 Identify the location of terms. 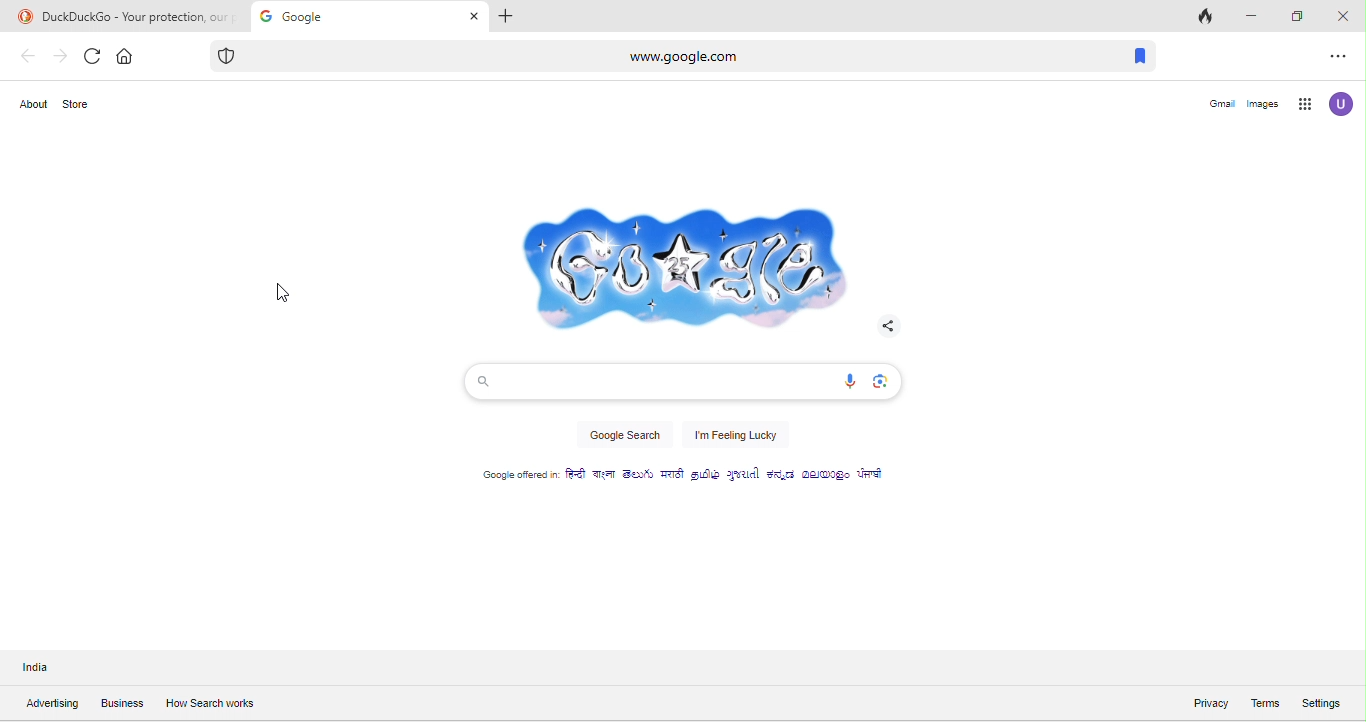
(1264, 702).